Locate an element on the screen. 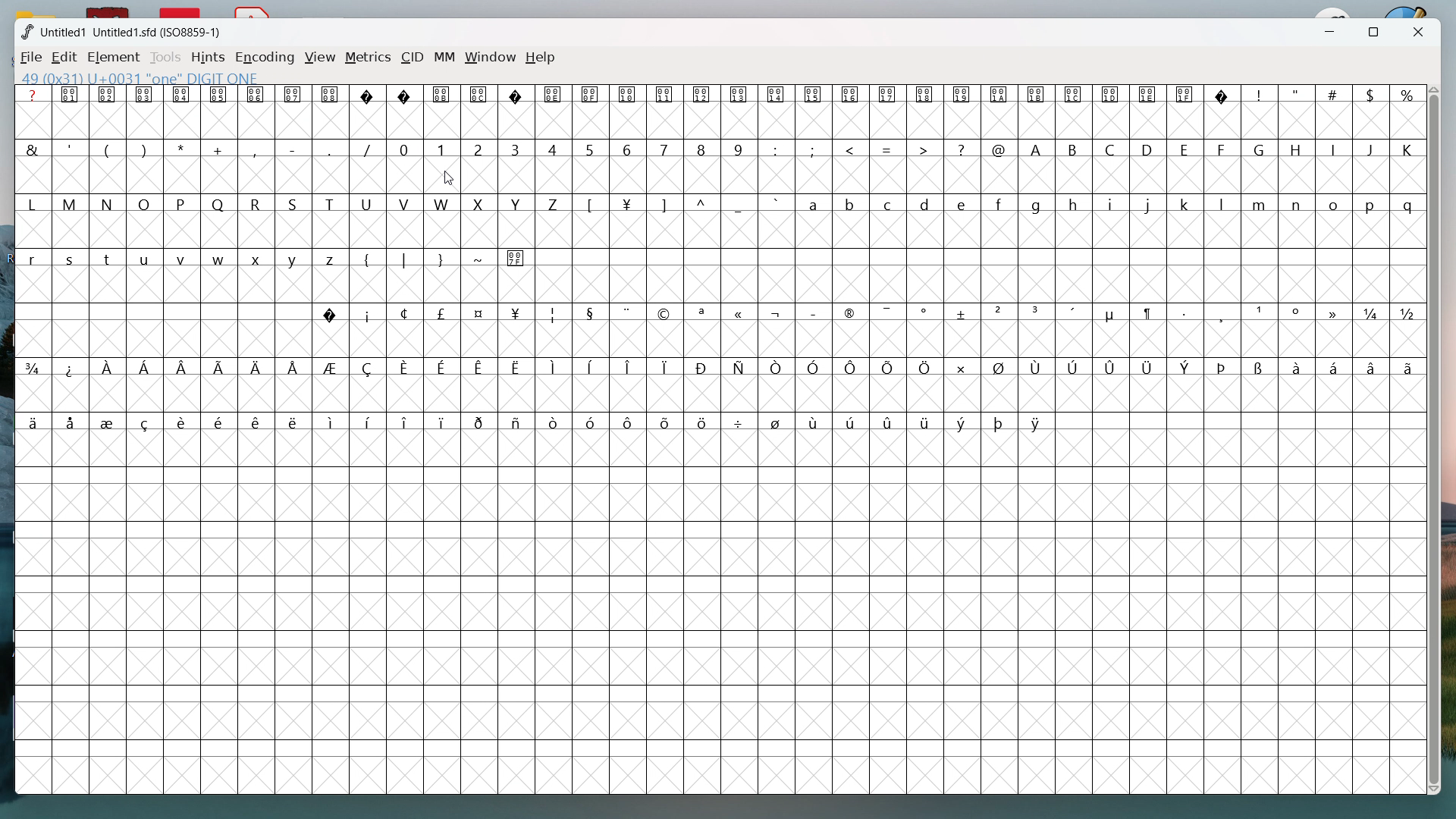 This screenshot has width=1456, height=819. symbol is located at coordinates (850, 93).